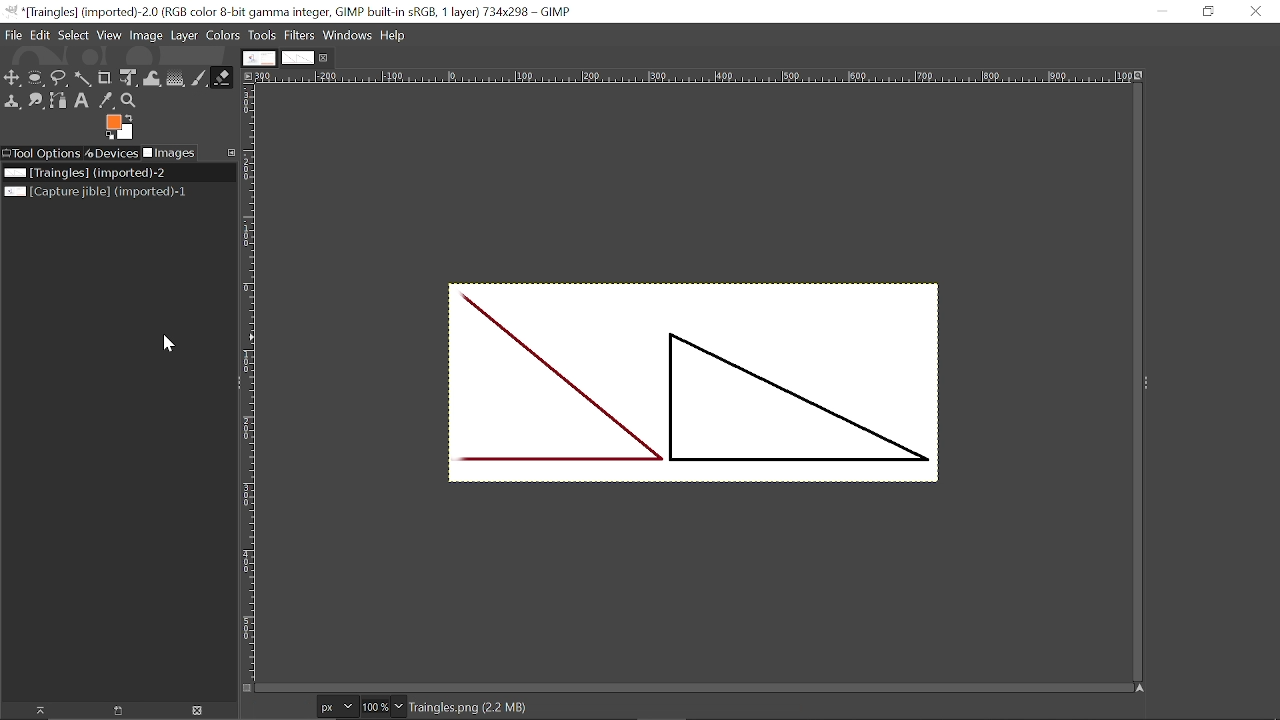 The image size is (1280, 720). Describe the element at coordinates (121, 127) in the screenshot. I see `Foreground color` at that location.